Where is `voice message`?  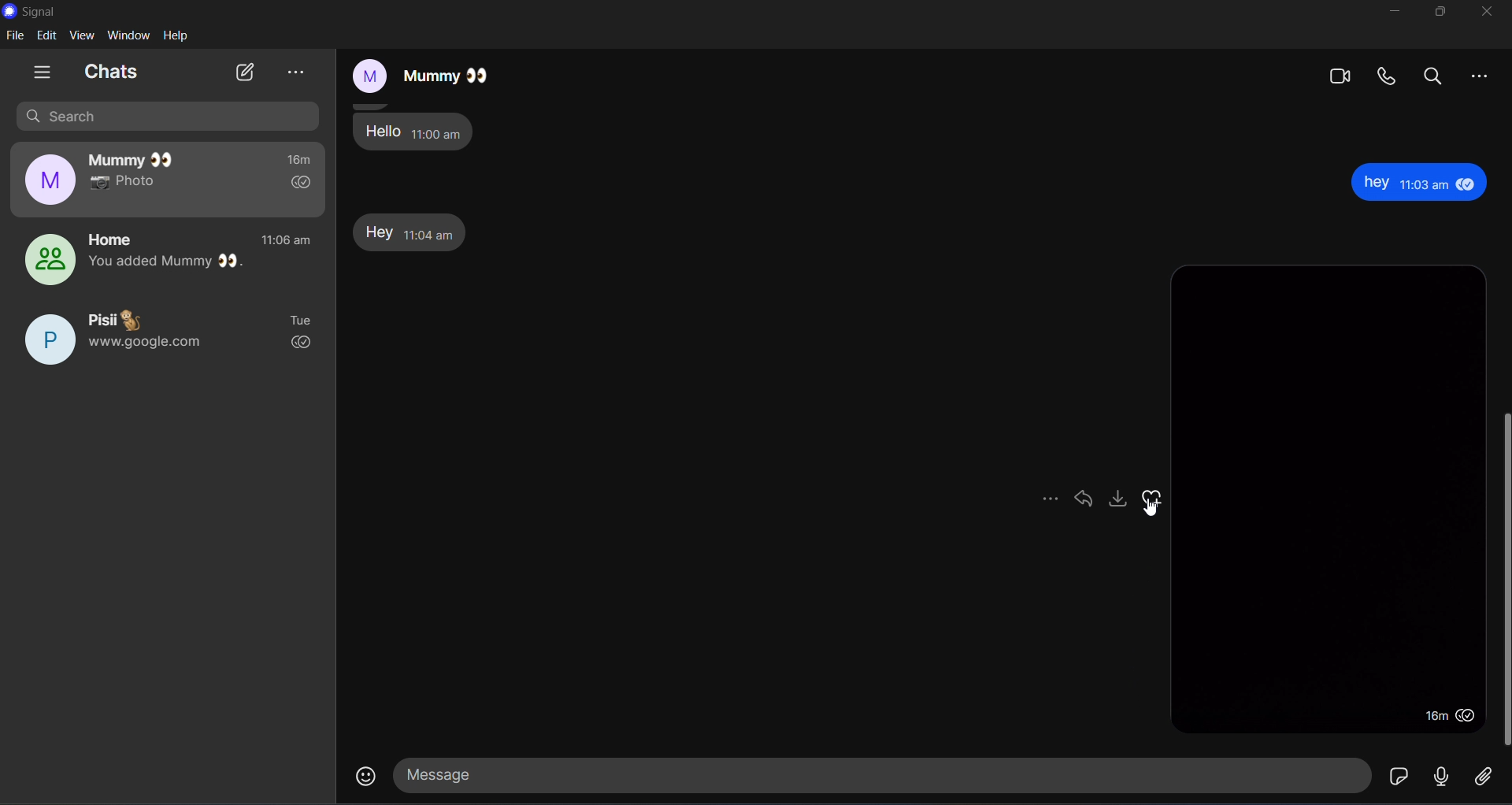 voice message is located at coordinates (1443, 777).